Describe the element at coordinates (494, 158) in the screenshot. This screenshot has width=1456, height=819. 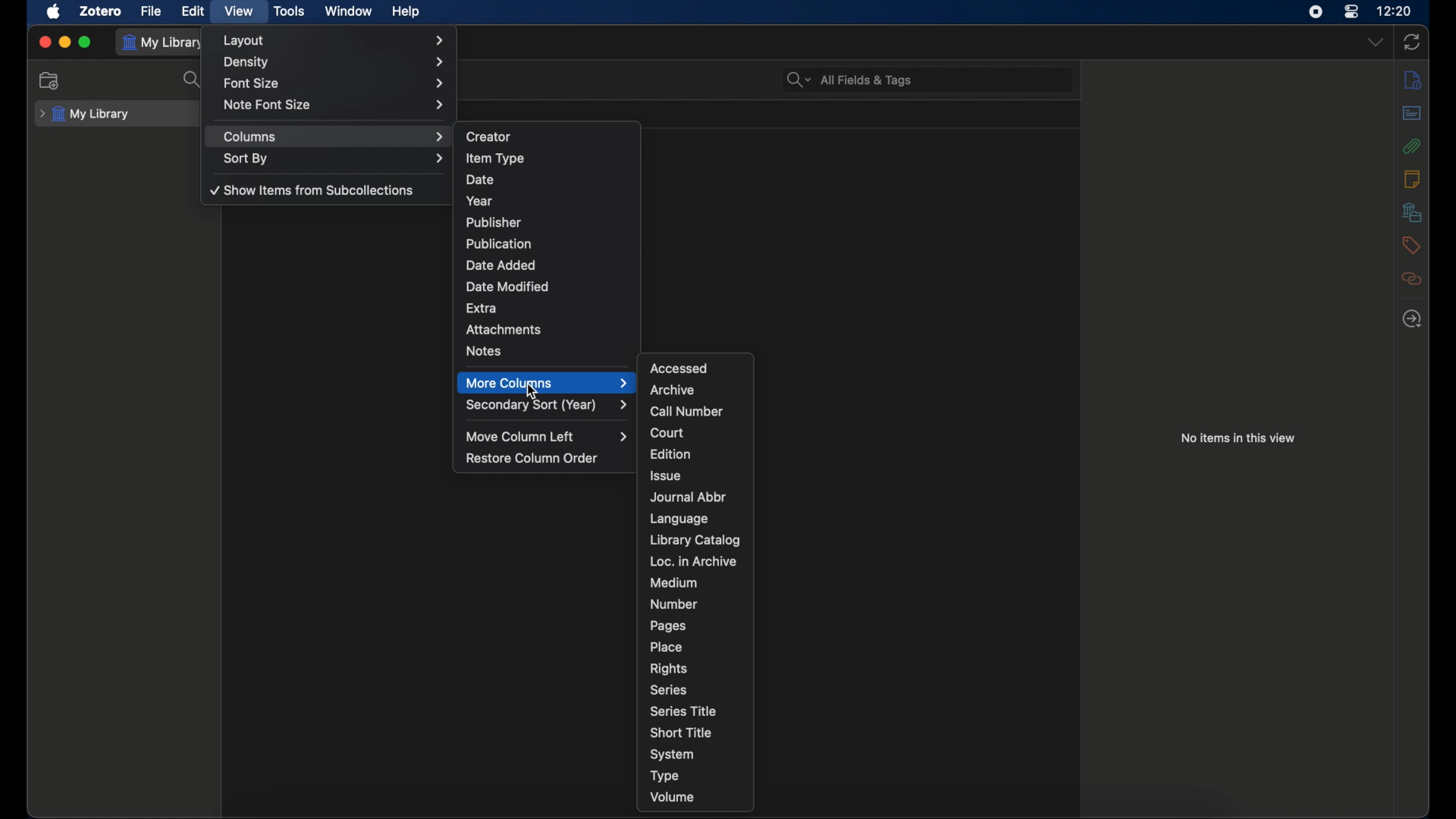
I see `item type` at that location.